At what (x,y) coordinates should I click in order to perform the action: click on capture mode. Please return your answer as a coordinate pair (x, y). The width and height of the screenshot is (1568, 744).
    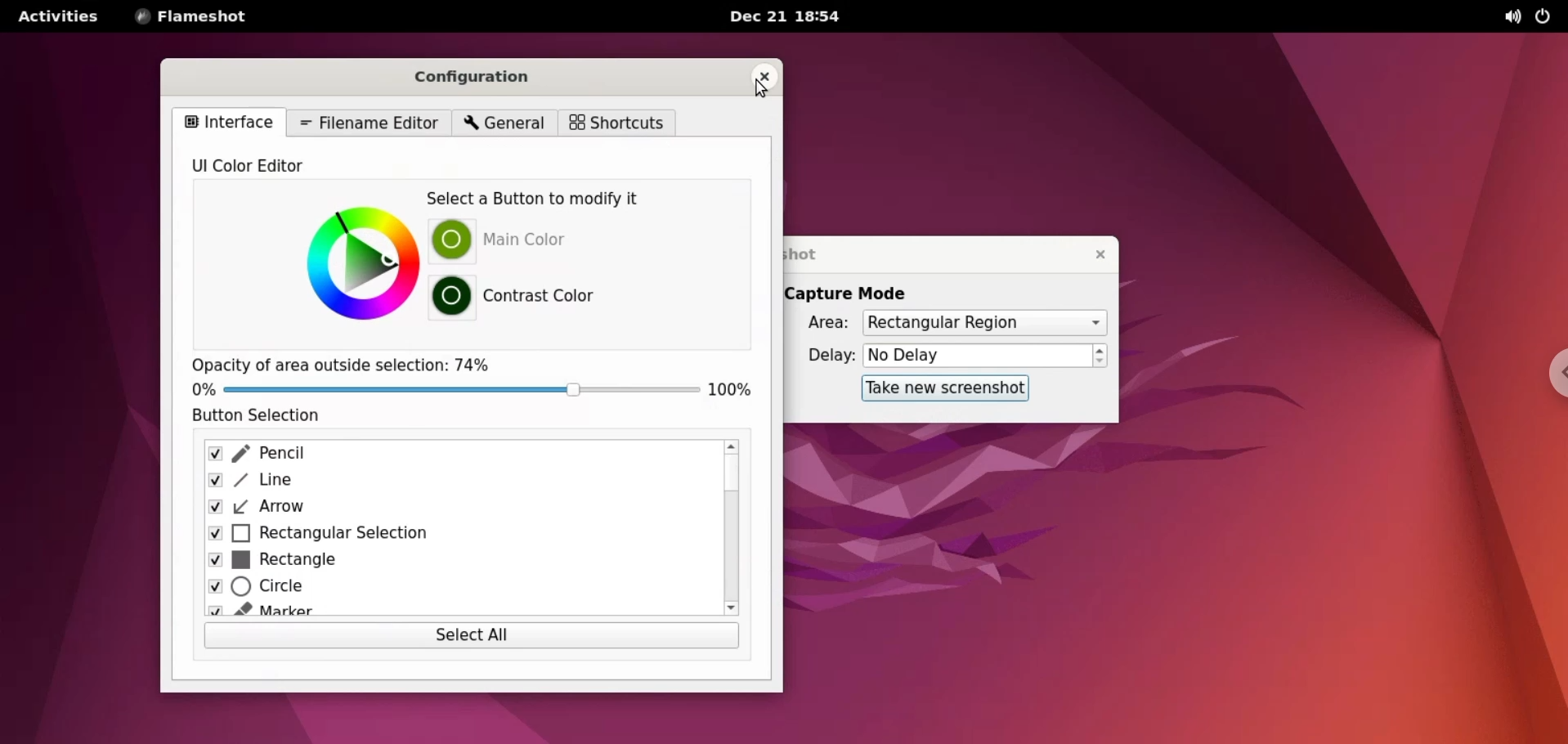
    Looking at the image, I should click on (859, 292).